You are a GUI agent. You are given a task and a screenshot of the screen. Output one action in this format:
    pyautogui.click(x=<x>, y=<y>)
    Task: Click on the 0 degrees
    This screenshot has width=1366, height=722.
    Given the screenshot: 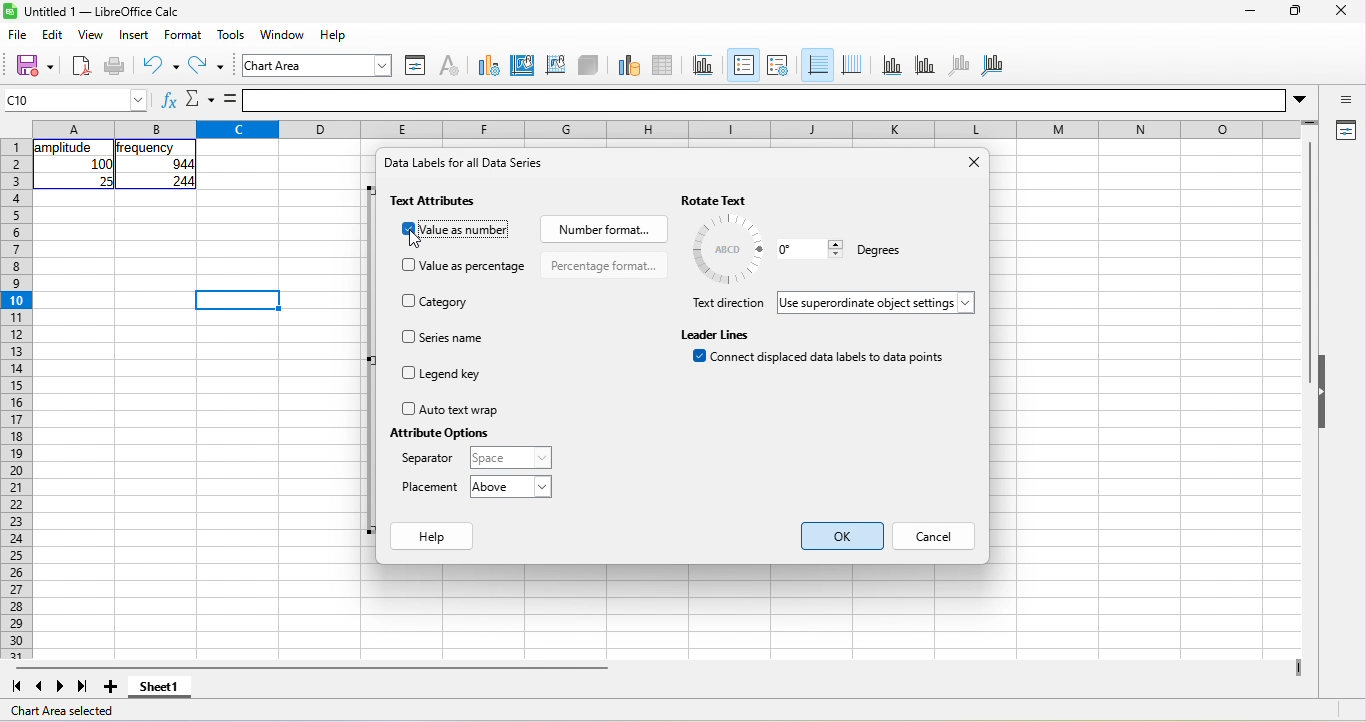 What is the action you would take?
    pyautogui.click(x=809, y=249)
    